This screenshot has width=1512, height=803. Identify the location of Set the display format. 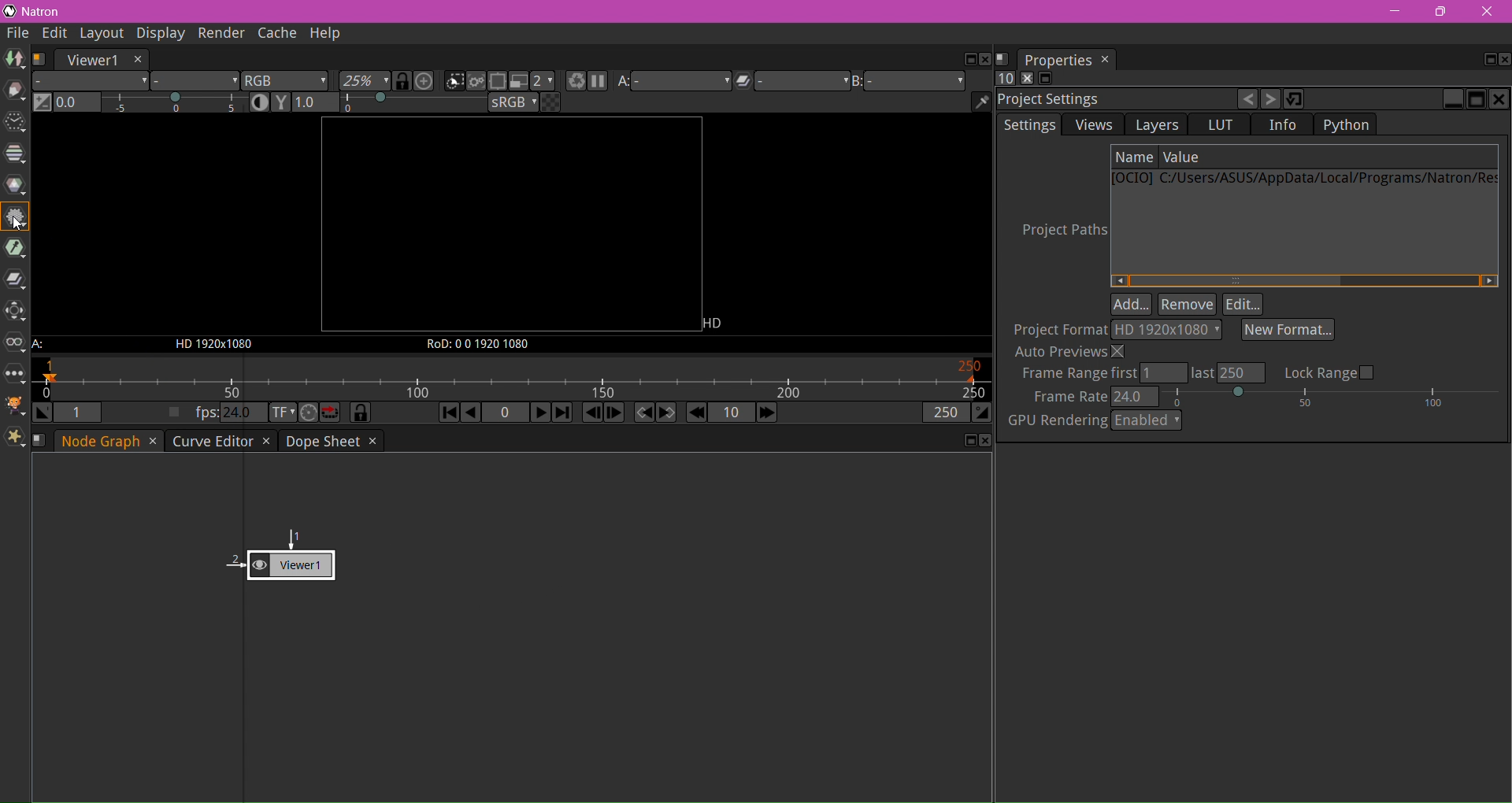
(281, 413).